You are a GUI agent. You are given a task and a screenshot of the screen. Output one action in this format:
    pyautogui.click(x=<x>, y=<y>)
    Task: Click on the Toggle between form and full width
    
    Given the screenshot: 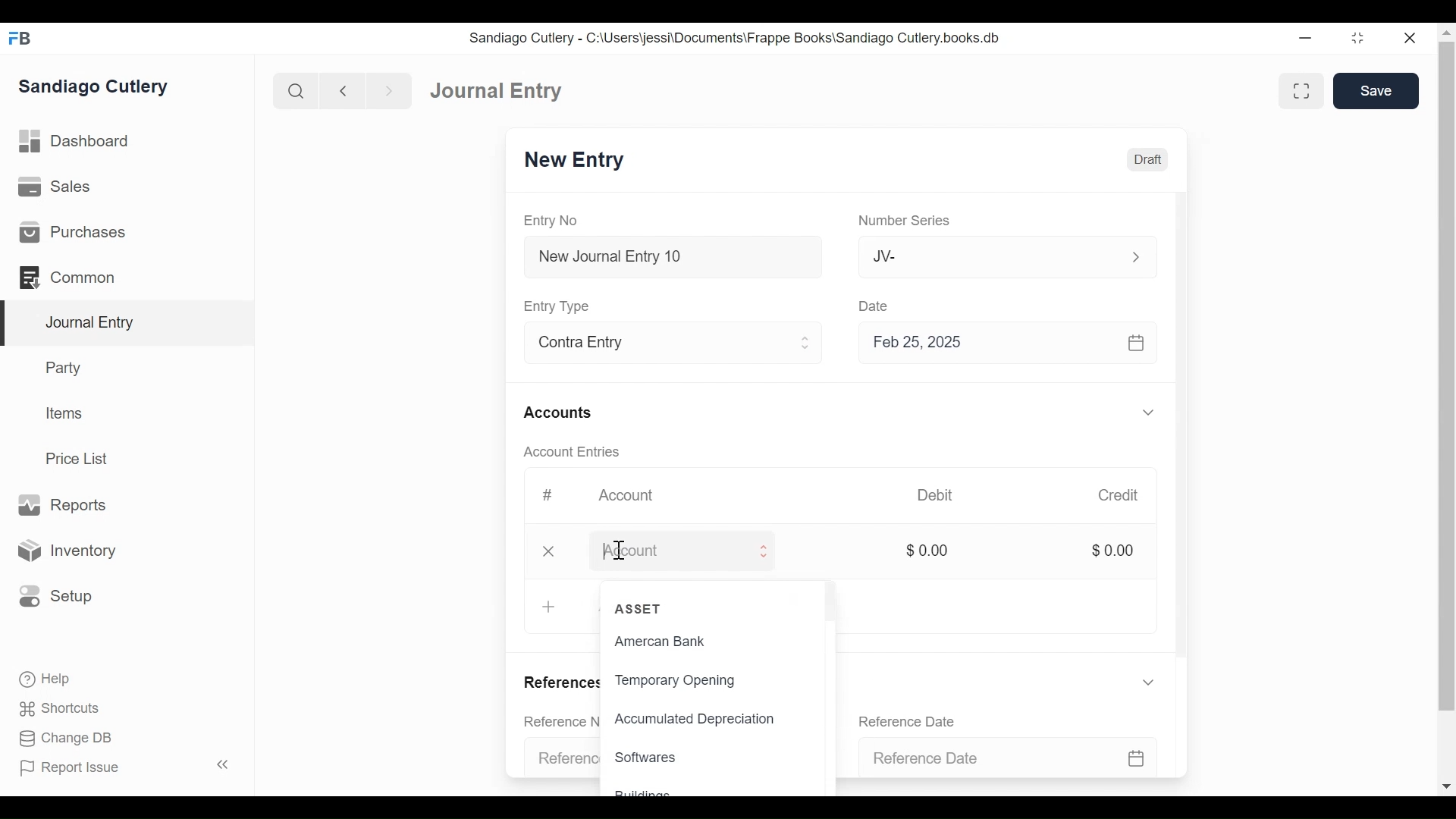 What is the action you would take?
    pyautogui.click(x=1300, y=89)
    